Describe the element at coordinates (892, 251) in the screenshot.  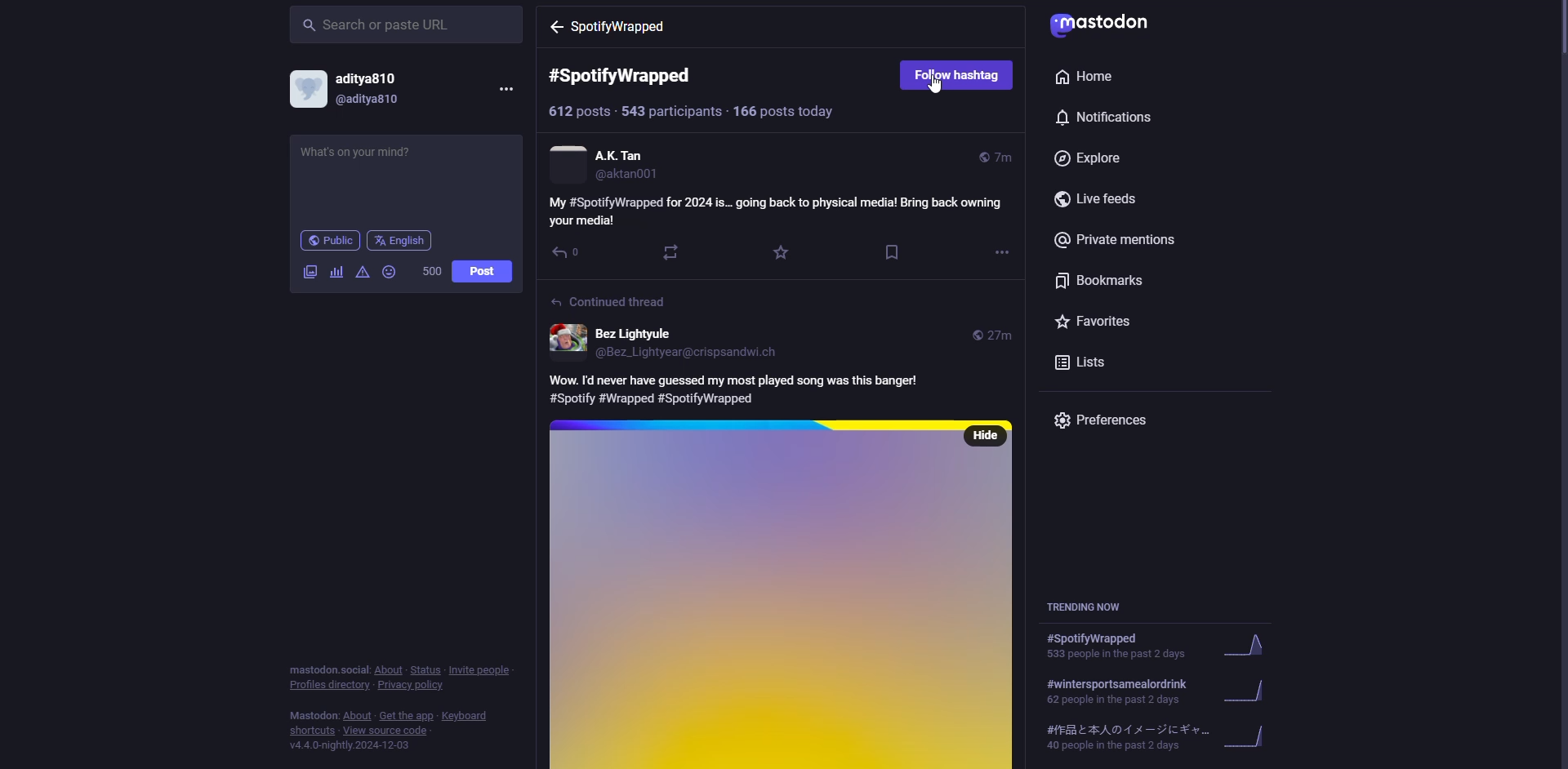
I see `bookmark` at that location.